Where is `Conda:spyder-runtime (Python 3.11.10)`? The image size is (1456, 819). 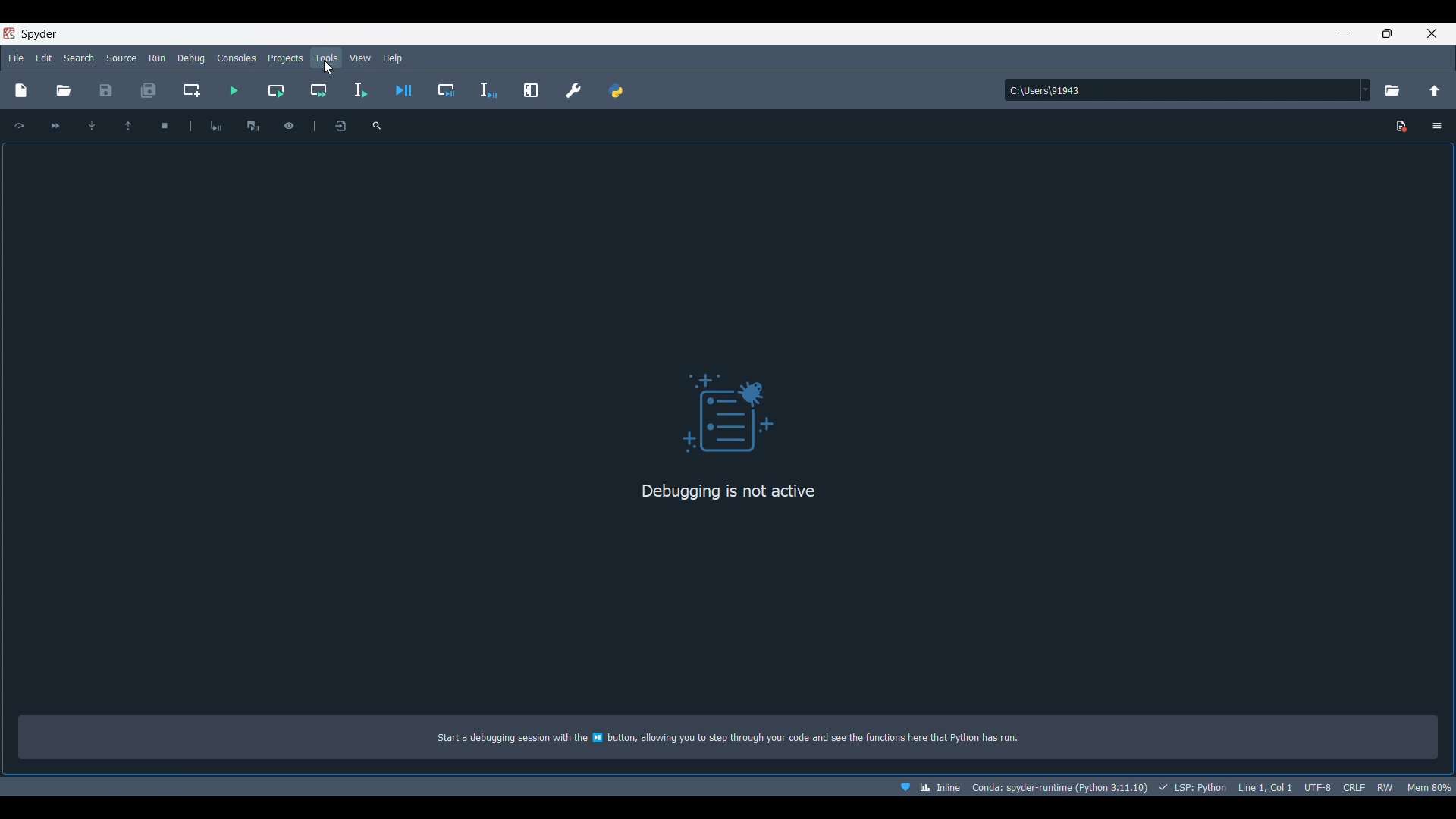 Conda:spyder-runtime (Python 3.11.10) is located at coordinates (1059, 788).